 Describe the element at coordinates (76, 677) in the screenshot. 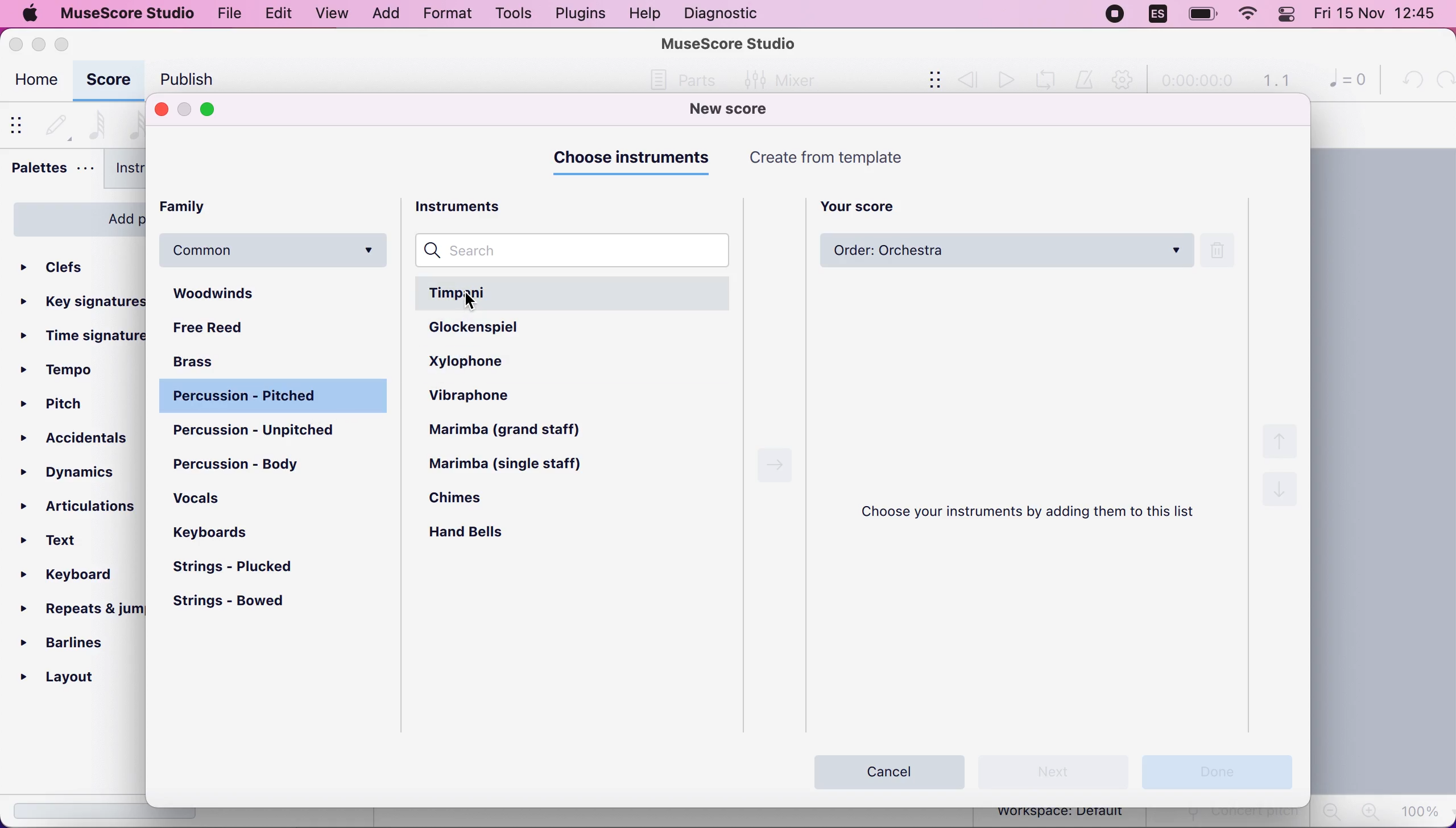

I see `layout` at that location.